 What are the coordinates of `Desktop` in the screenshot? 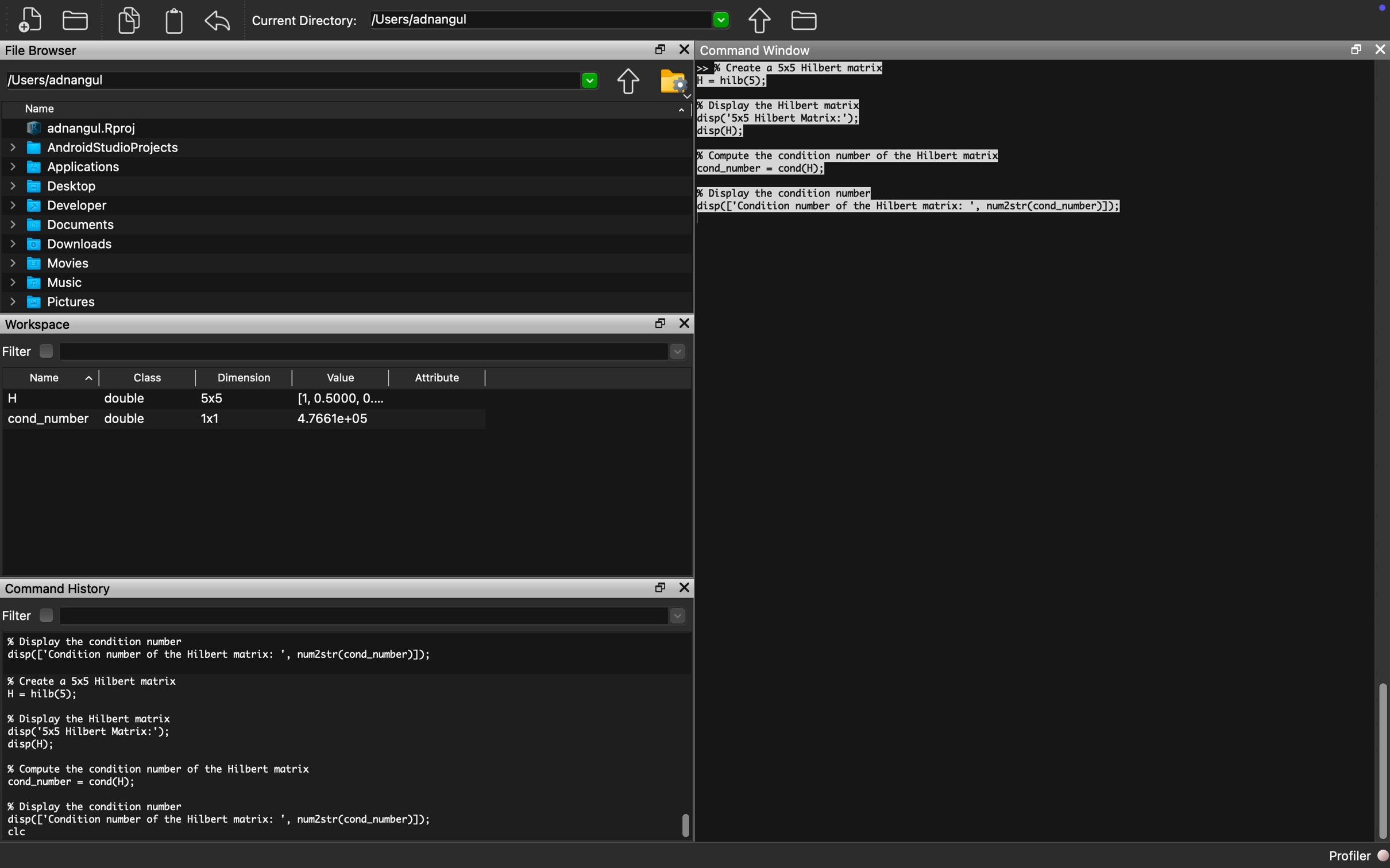 It's located at (53, 187).